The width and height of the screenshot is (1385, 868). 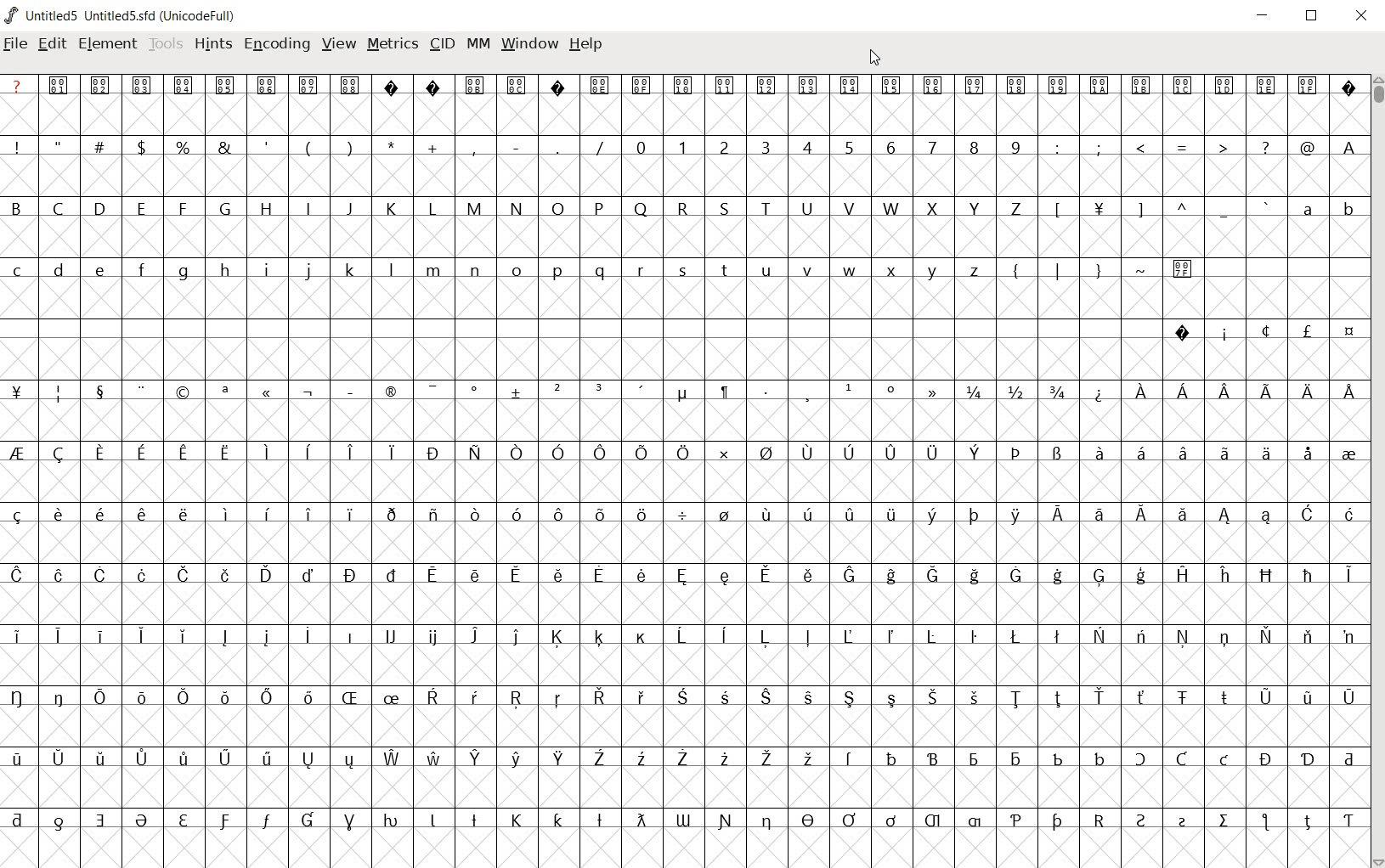 I want to click on Symbol, so click(x=642, y=637).